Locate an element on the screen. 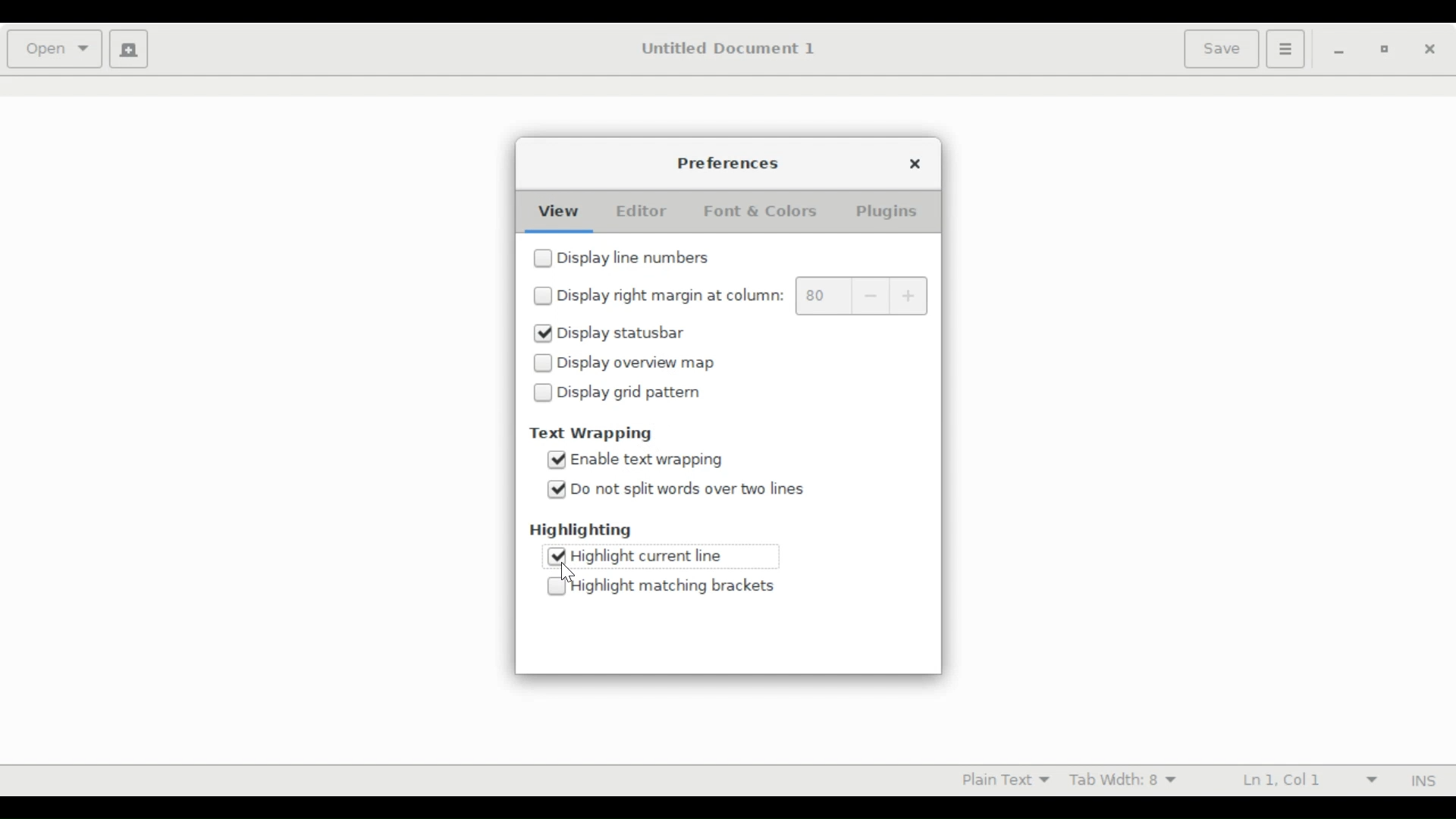 The width and height of the screenshot is (1456, 819). margin value is located at coordinates (824, 295).